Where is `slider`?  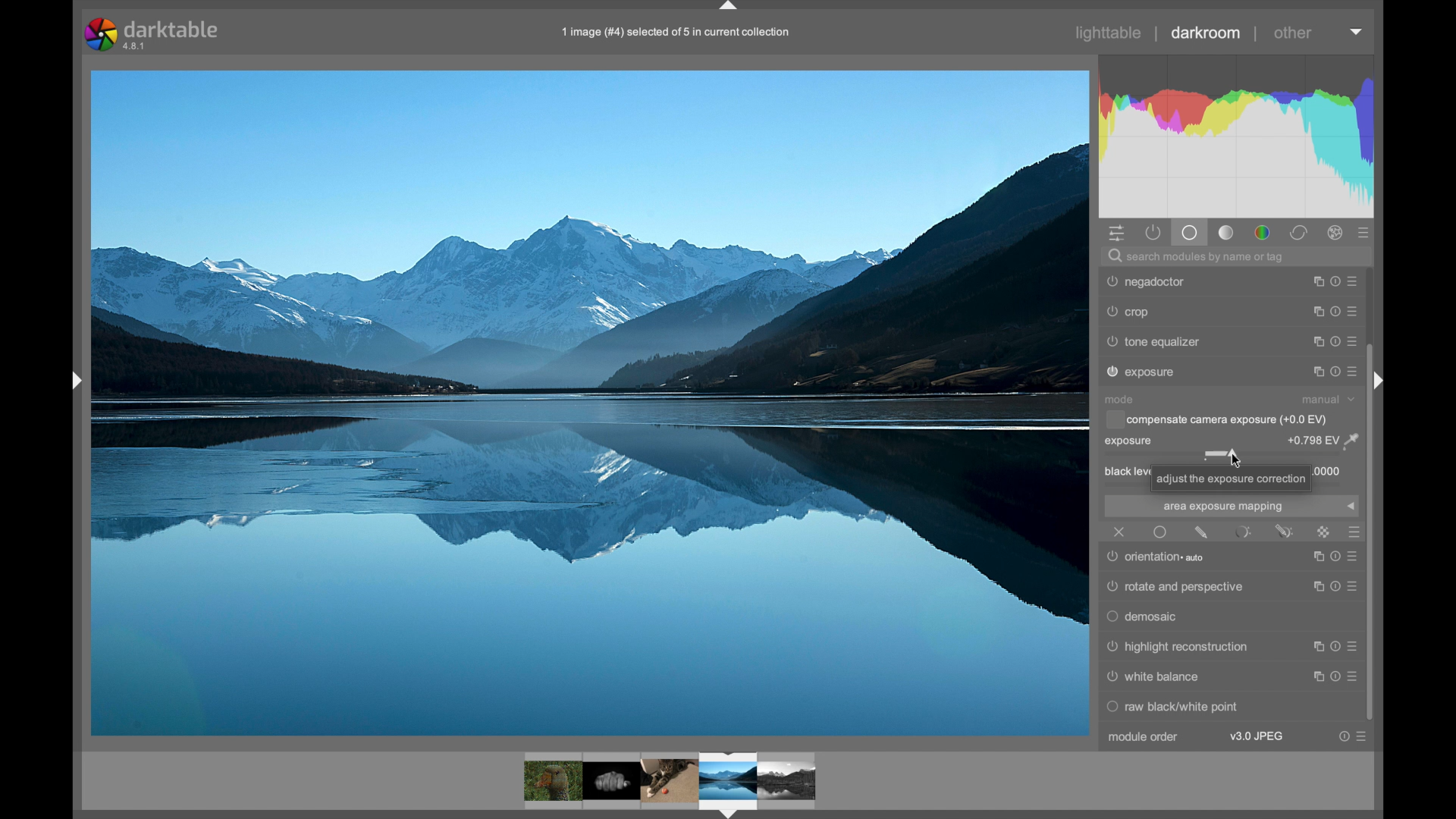
slider is located at coordinates (1227, 457).